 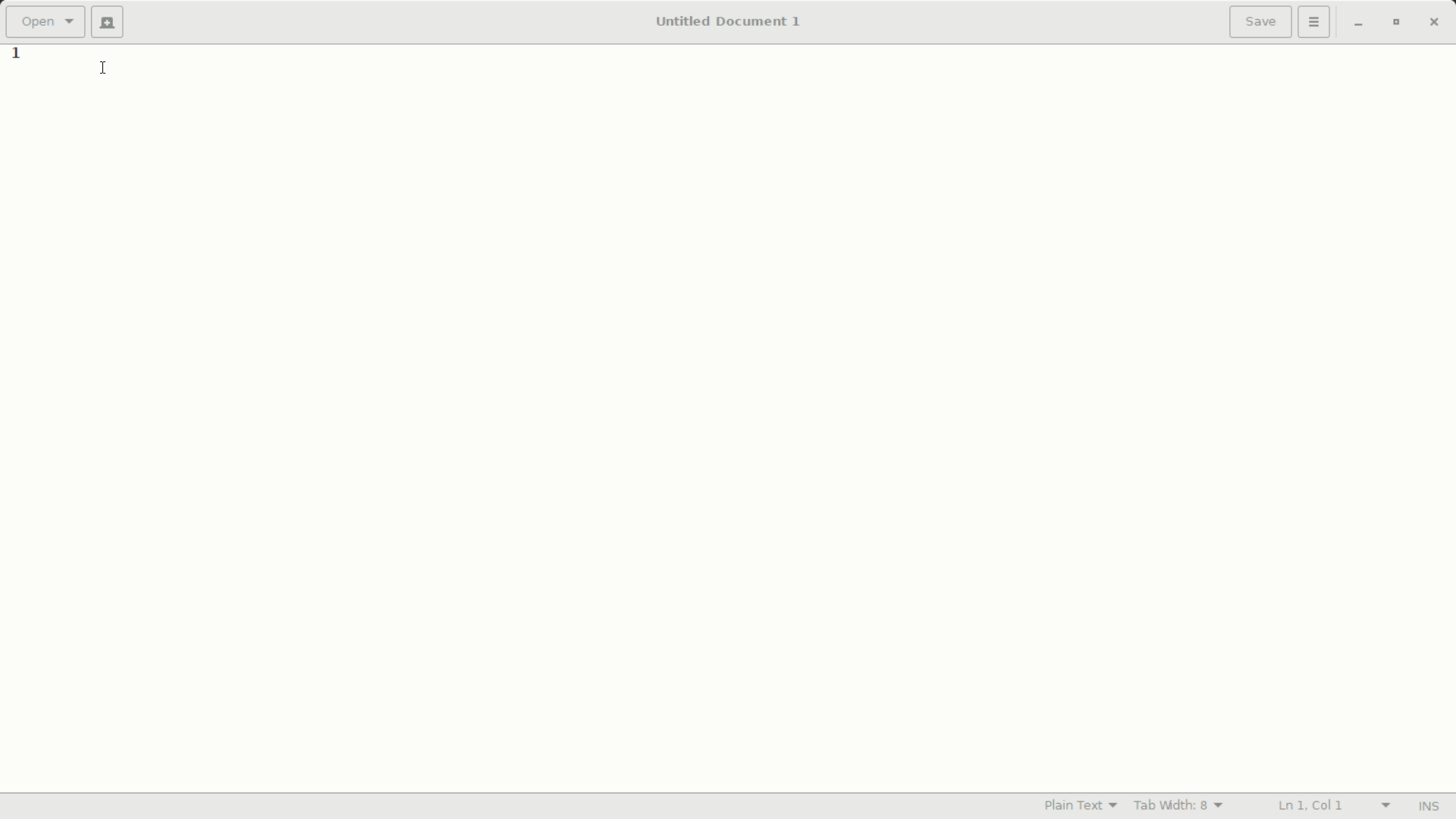 What do you see at coordinates (729, 22) in the screenshot?
I see `Untitled Document 1` at bounding box center [729, 22].